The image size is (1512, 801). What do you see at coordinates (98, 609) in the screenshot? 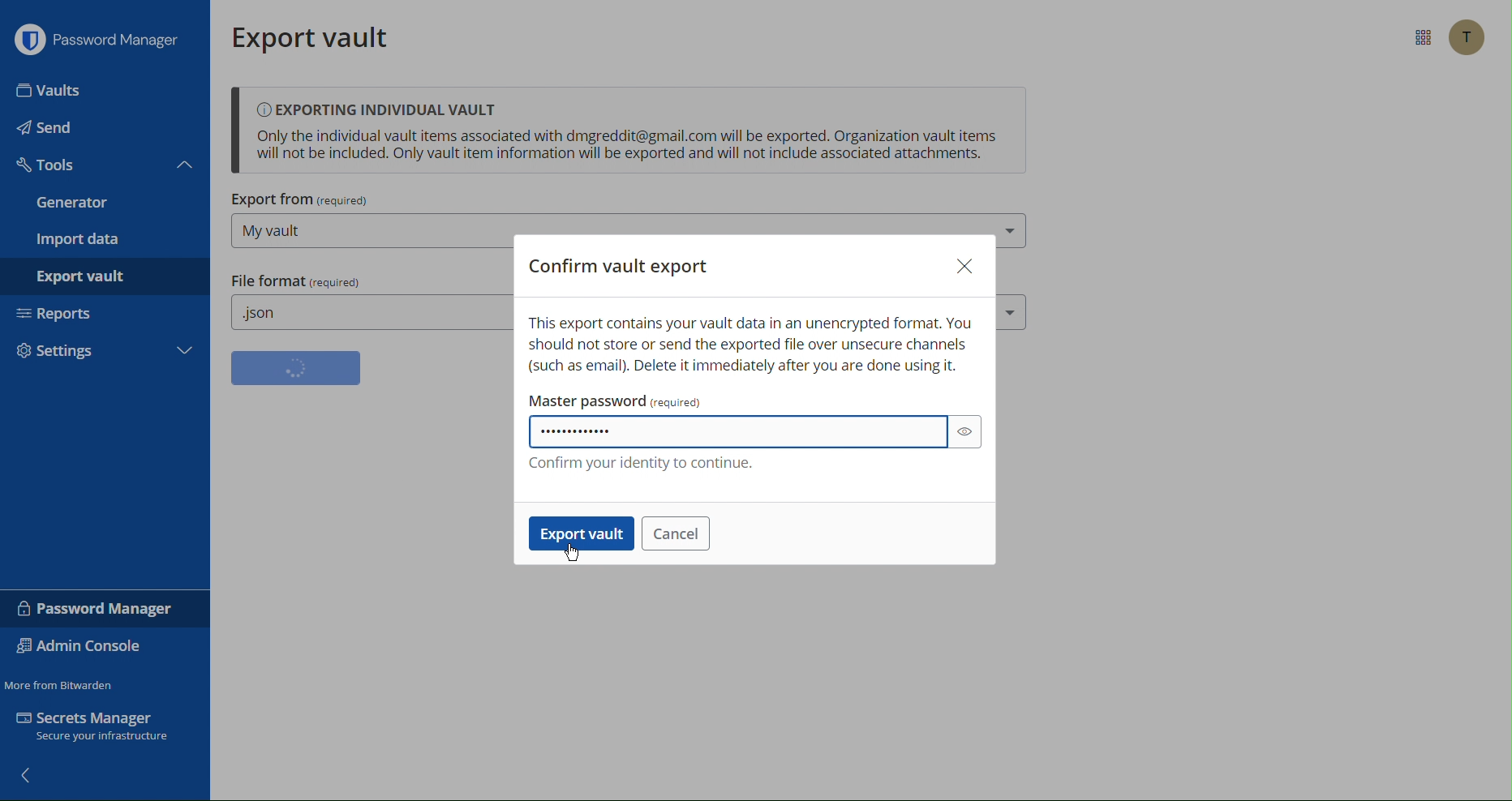
I see `Password Manager` at bounding box center [98, 609].